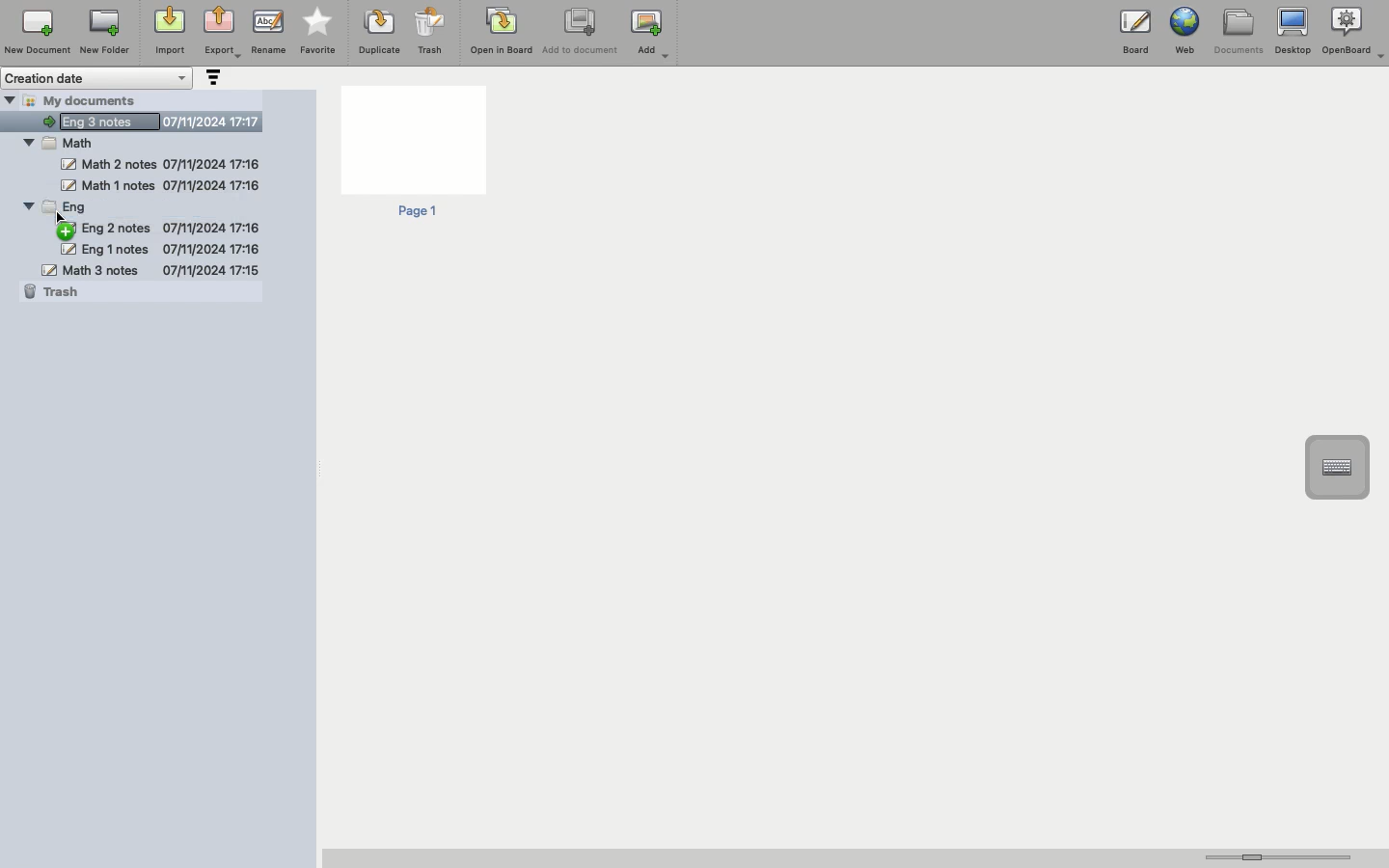 This screenshot has height=868, width=1389. Describe the element at coordinates (222, 34) in the screenshot. I see `Export` at that location.